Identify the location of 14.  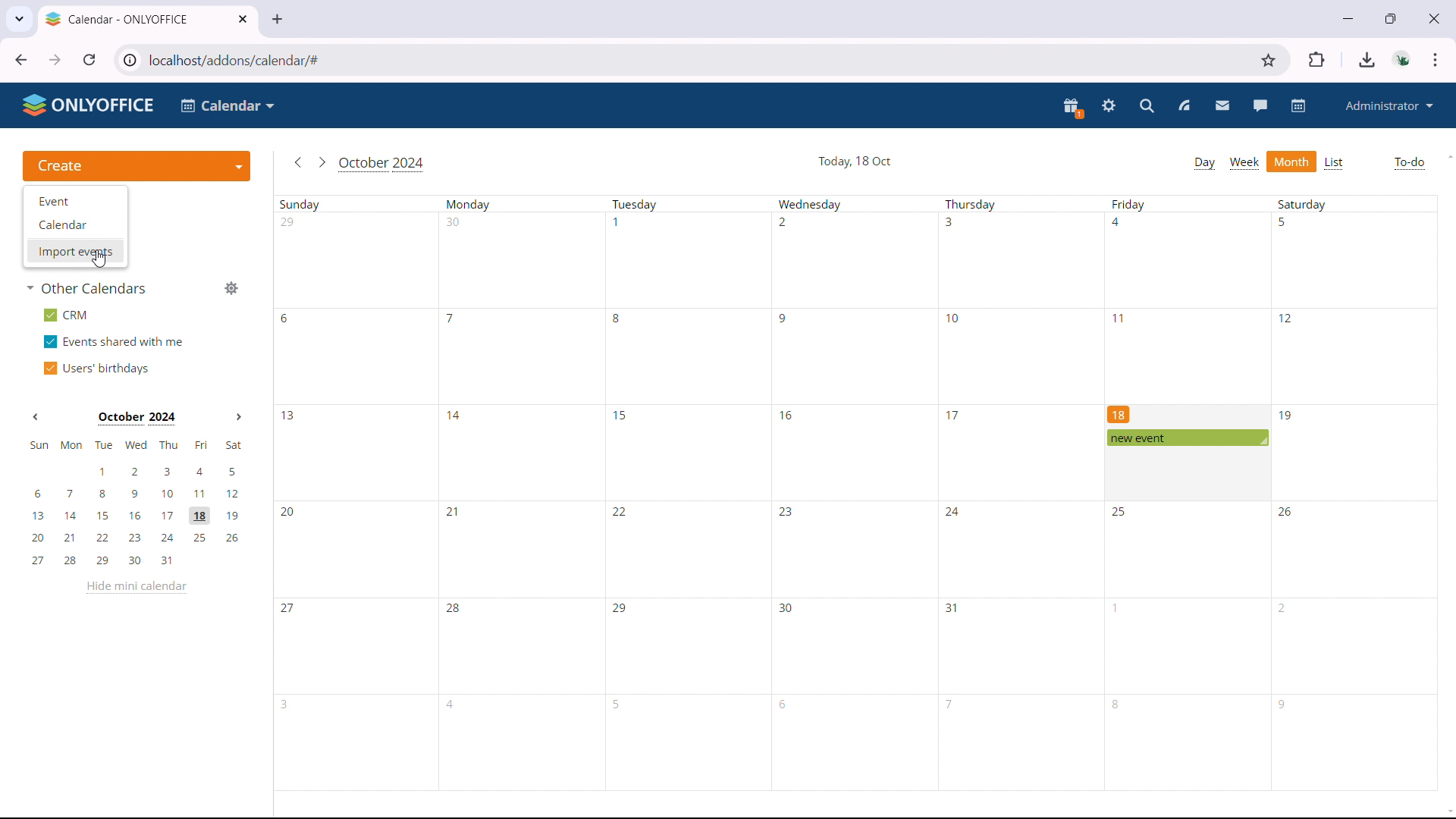
(457, 416).